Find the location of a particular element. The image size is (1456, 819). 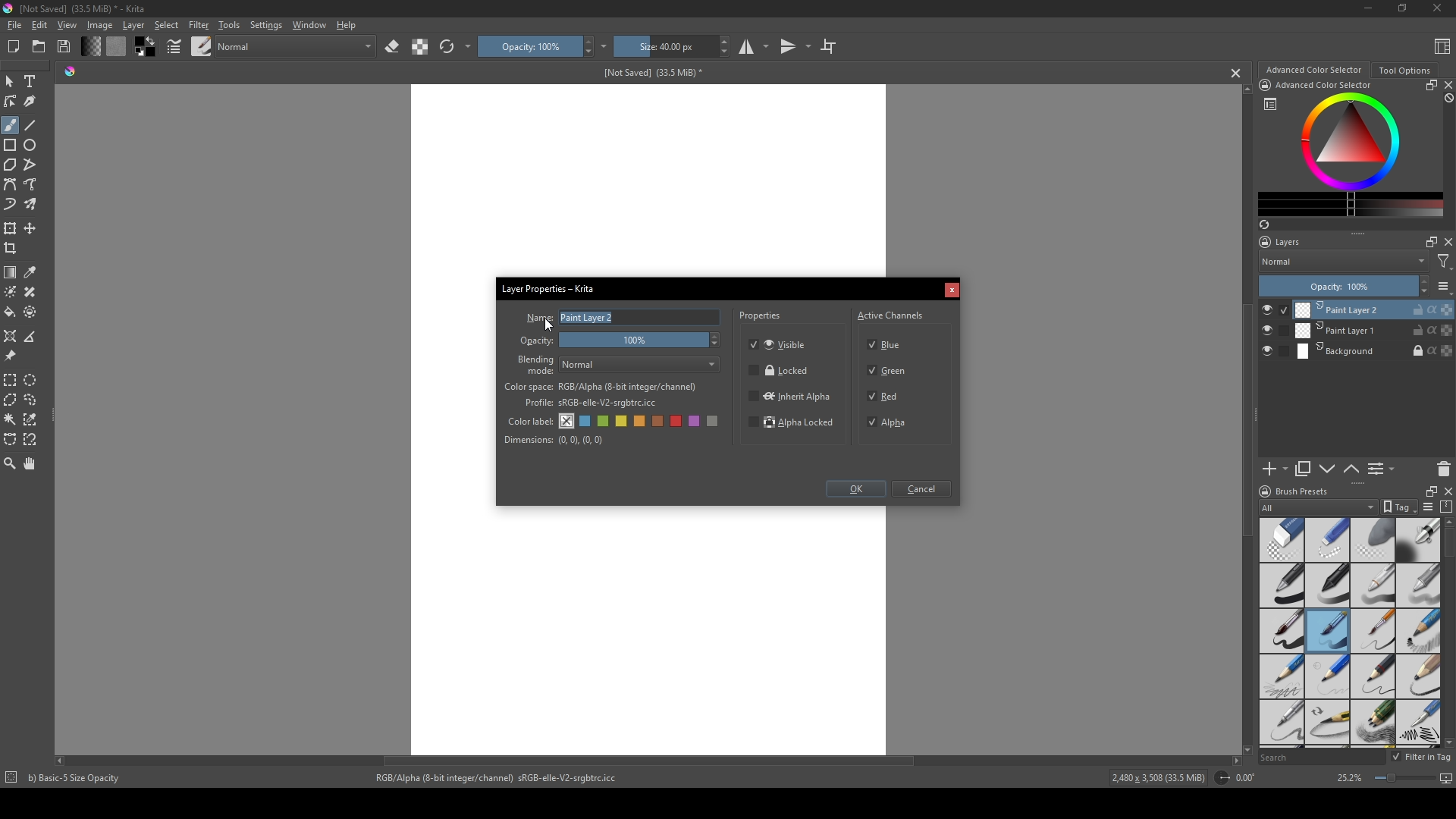

lemon is located at coordinates (623, 421).